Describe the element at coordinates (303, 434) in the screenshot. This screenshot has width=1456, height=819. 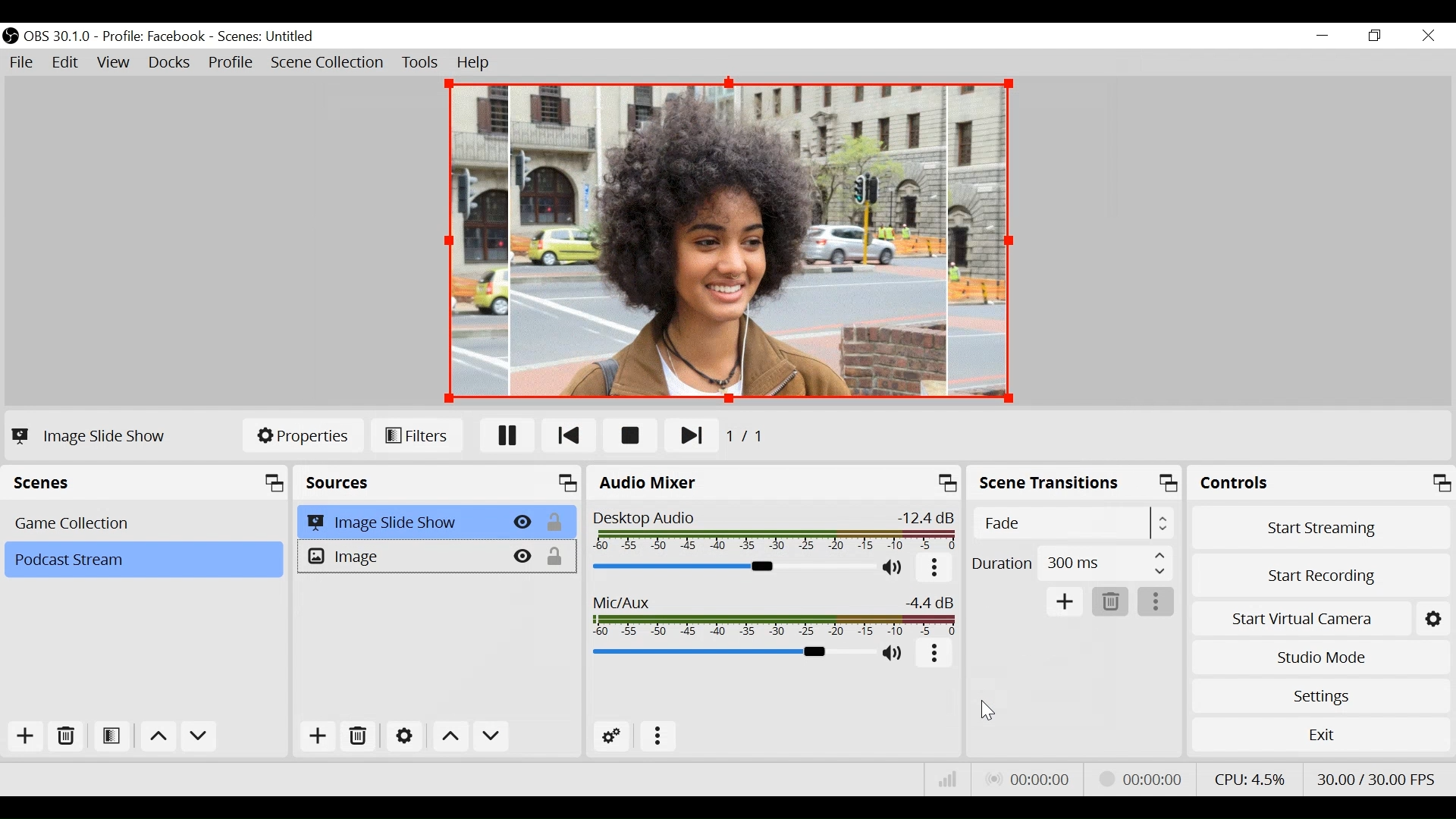
I see `Properties` at that location.